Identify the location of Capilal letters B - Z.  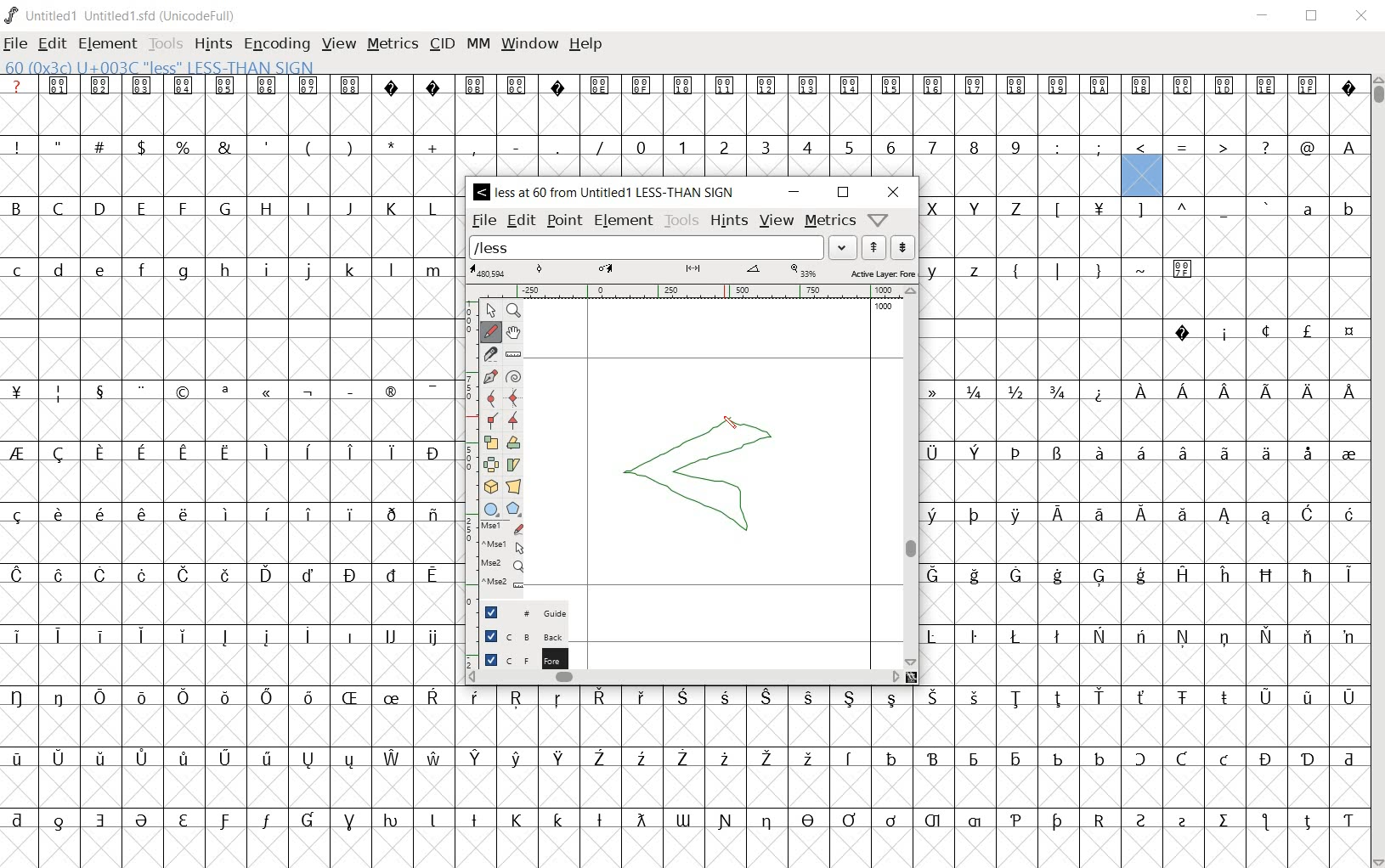
(229, 208).